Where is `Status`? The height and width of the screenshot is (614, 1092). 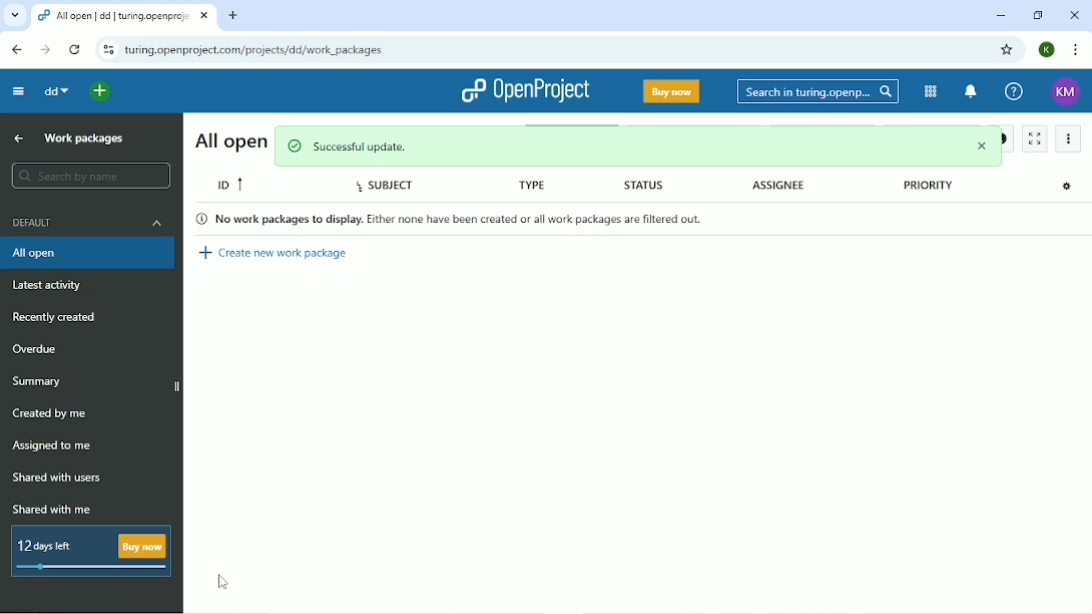 Status is located at coordinates (647, 188).